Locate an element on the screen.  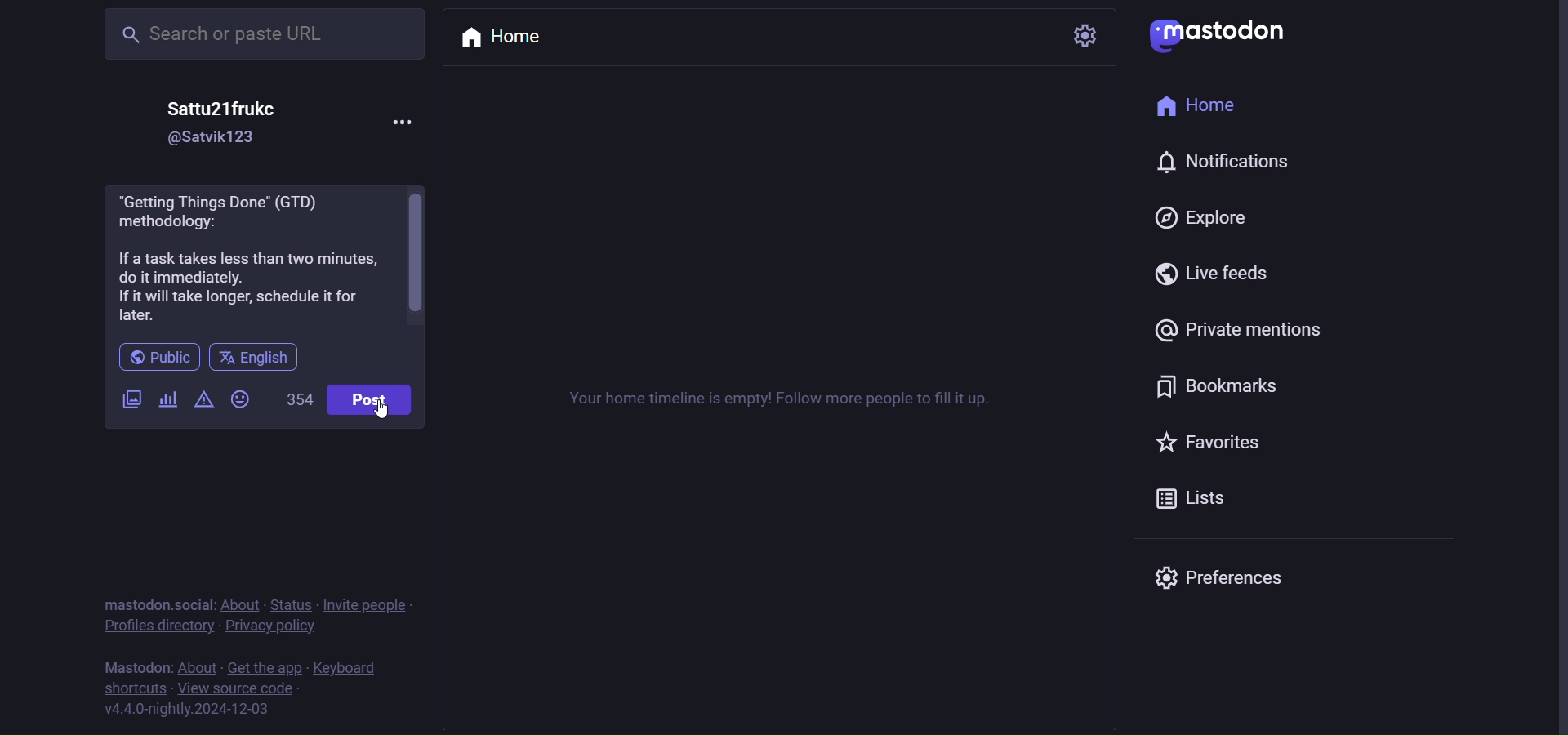
explore is located at coordinates (1209, 217).